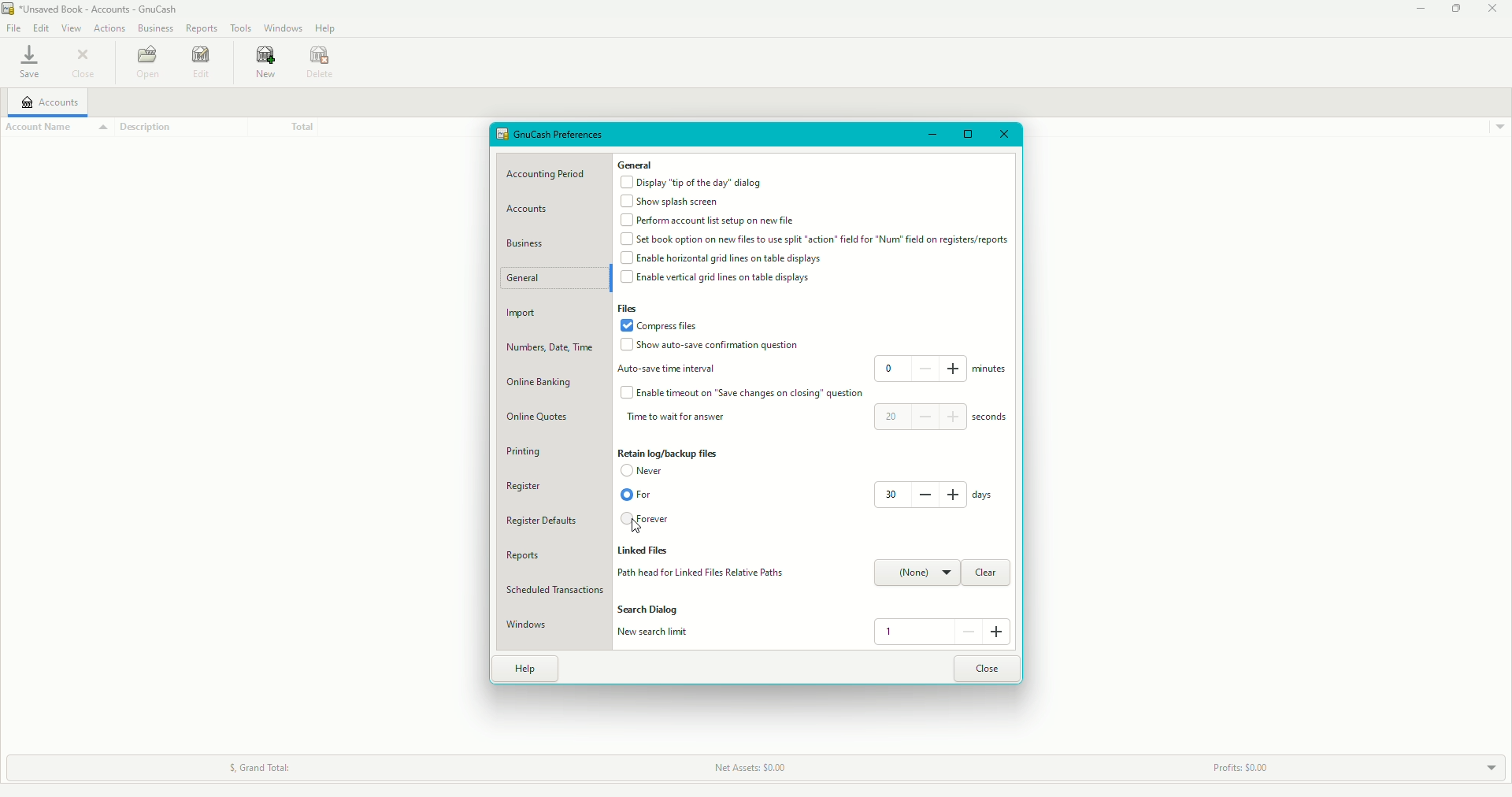 This screenshot has height=797, width=1512. I want to click on 0, so click(921, 368).